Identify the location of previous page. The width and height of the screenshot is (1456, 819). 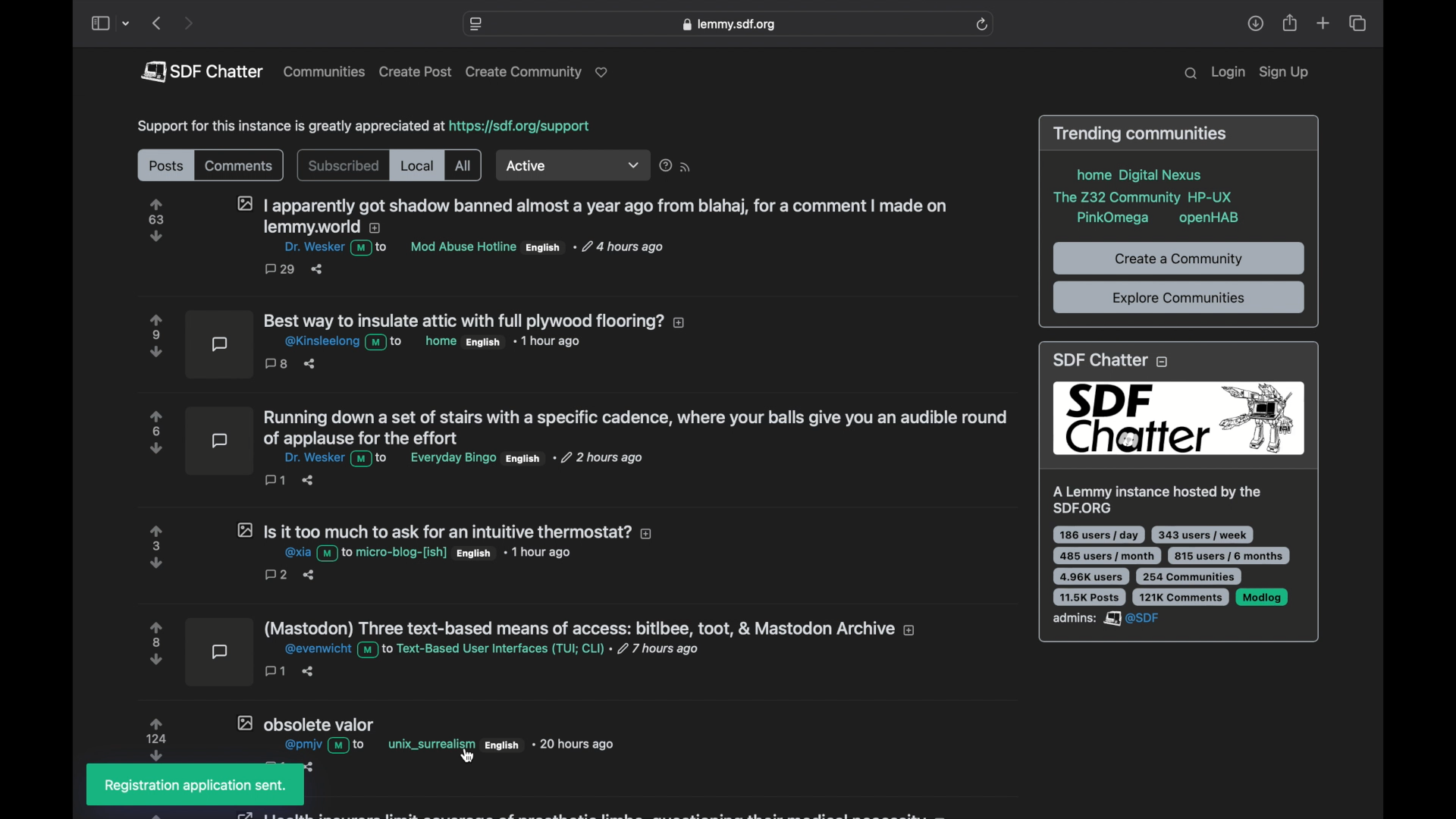
(156, 23).